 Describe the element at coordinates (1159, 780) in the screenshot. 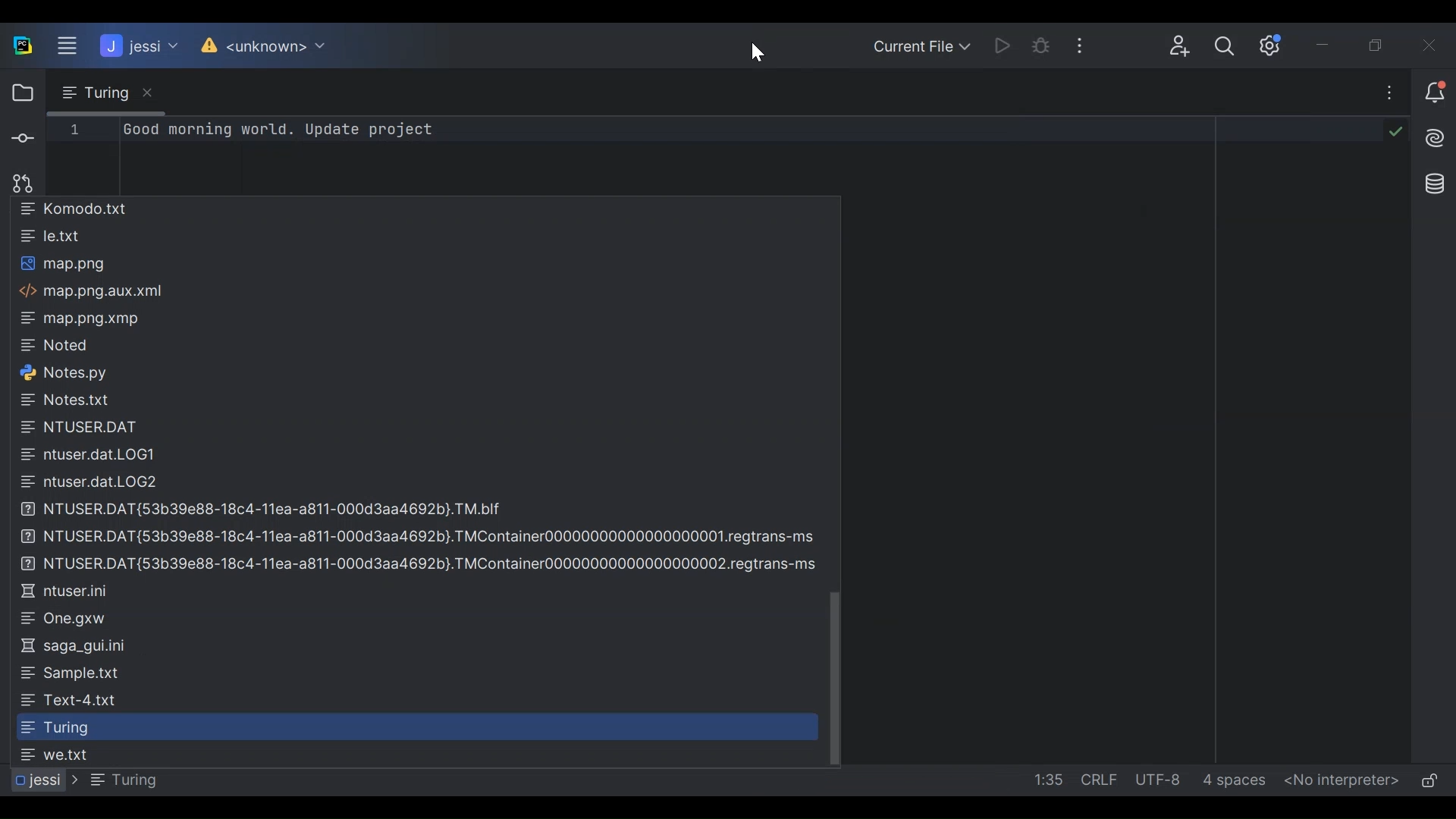

I see `UTF-8` at that location.